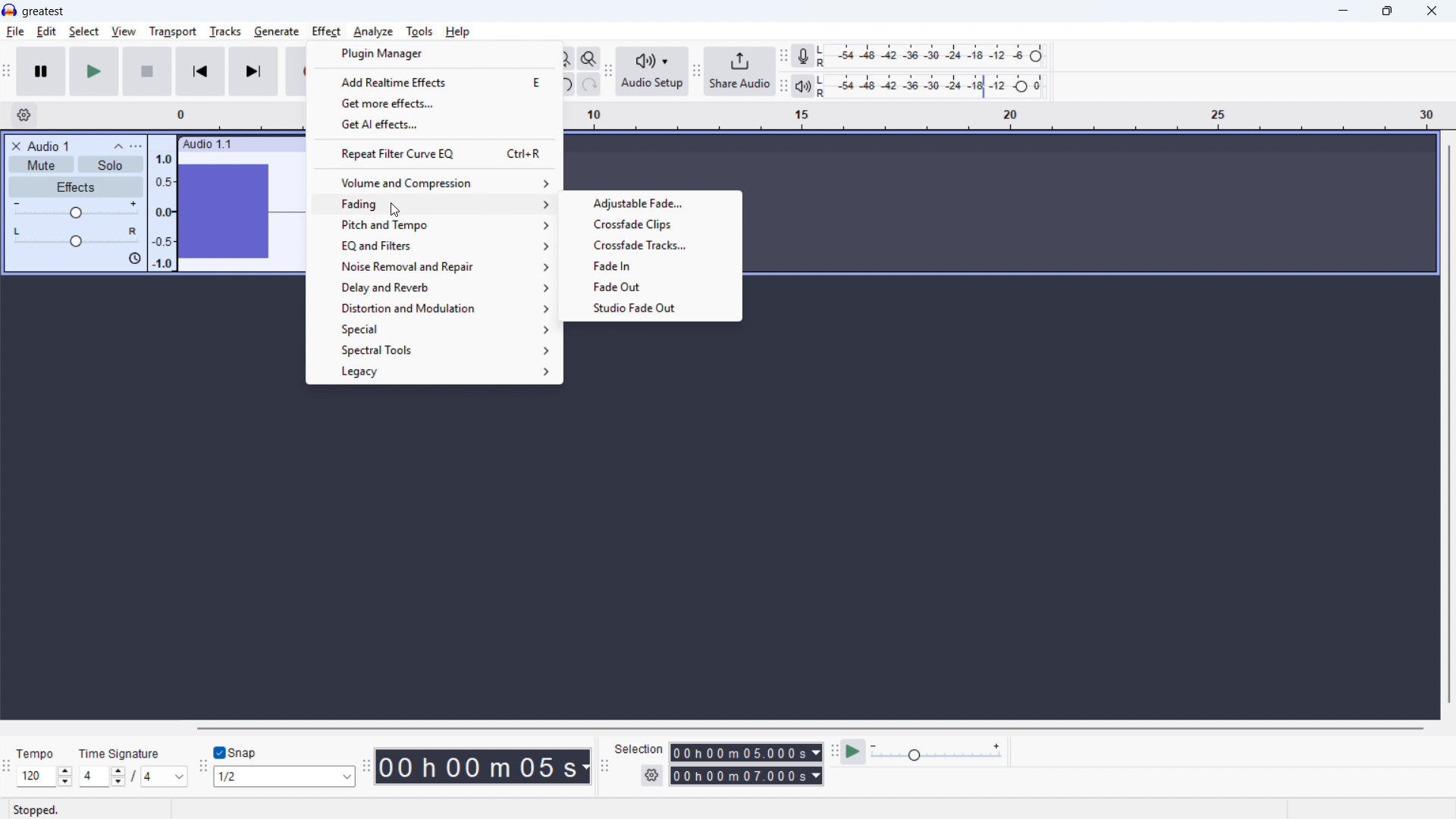  I want to click on Fade in , so click(654, 265).